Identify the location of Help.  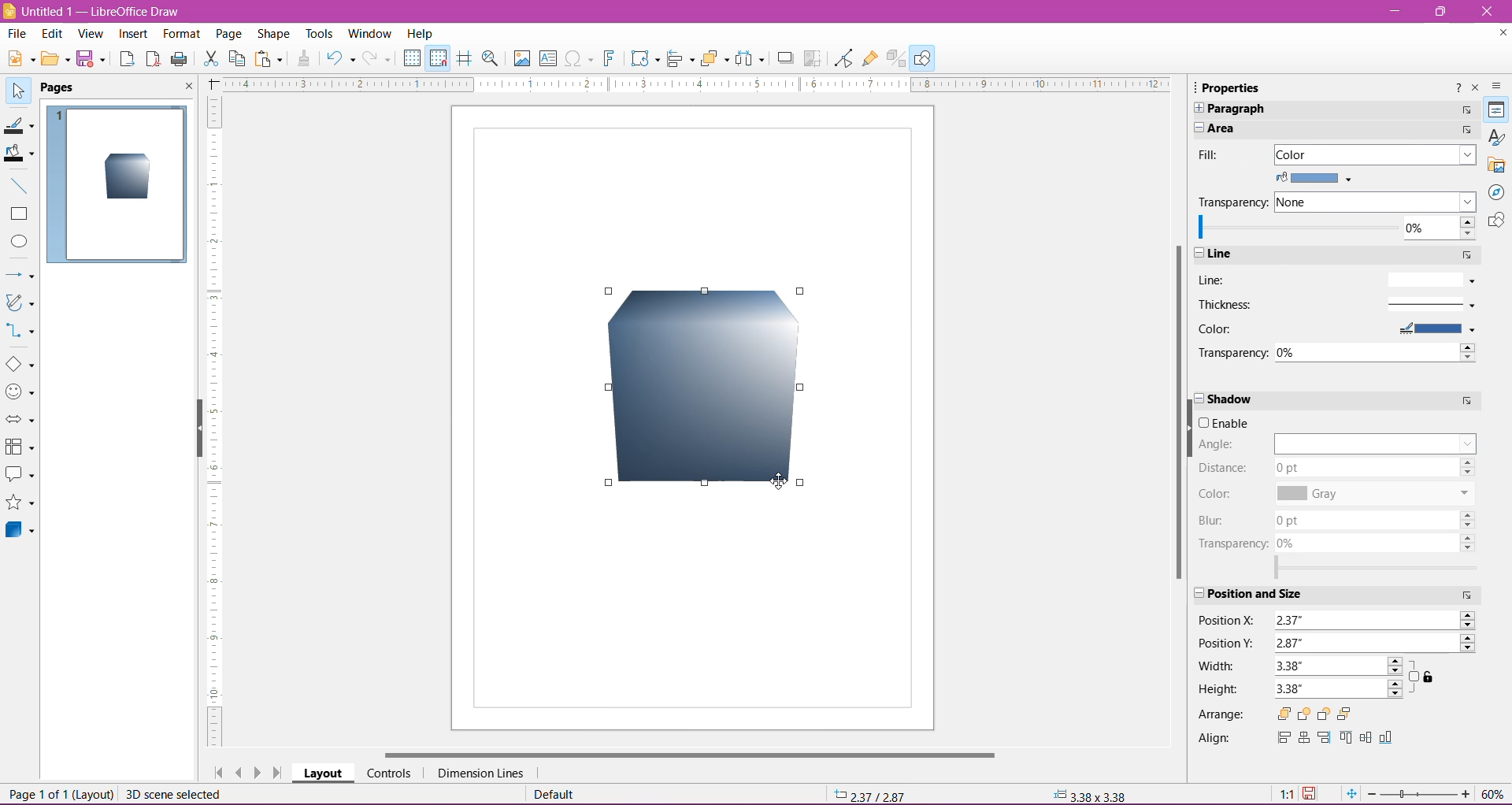
(421, 33).